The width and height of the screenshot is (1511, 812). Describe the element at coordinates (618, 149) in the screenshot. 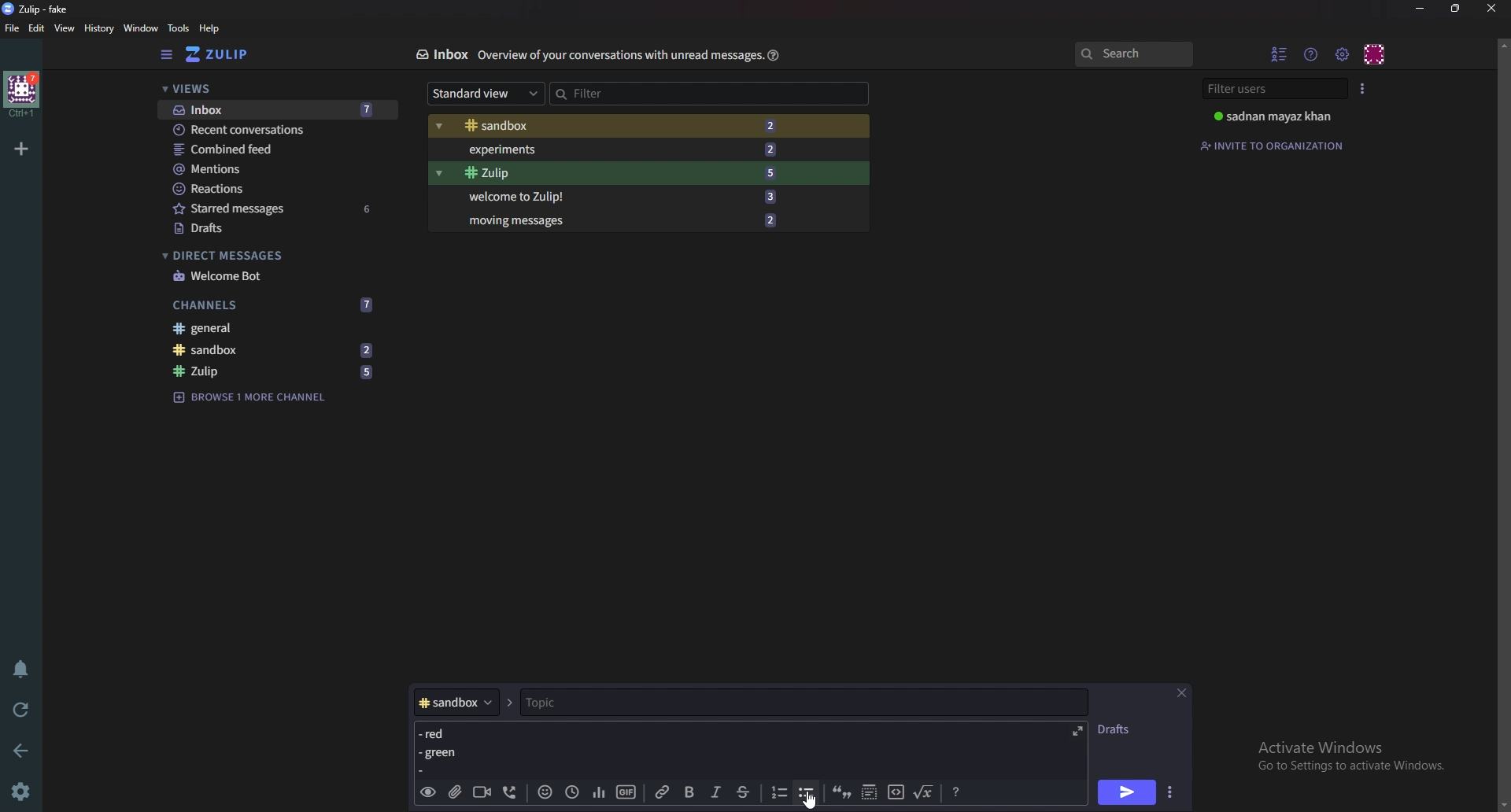

I see `Experiments` at that location.